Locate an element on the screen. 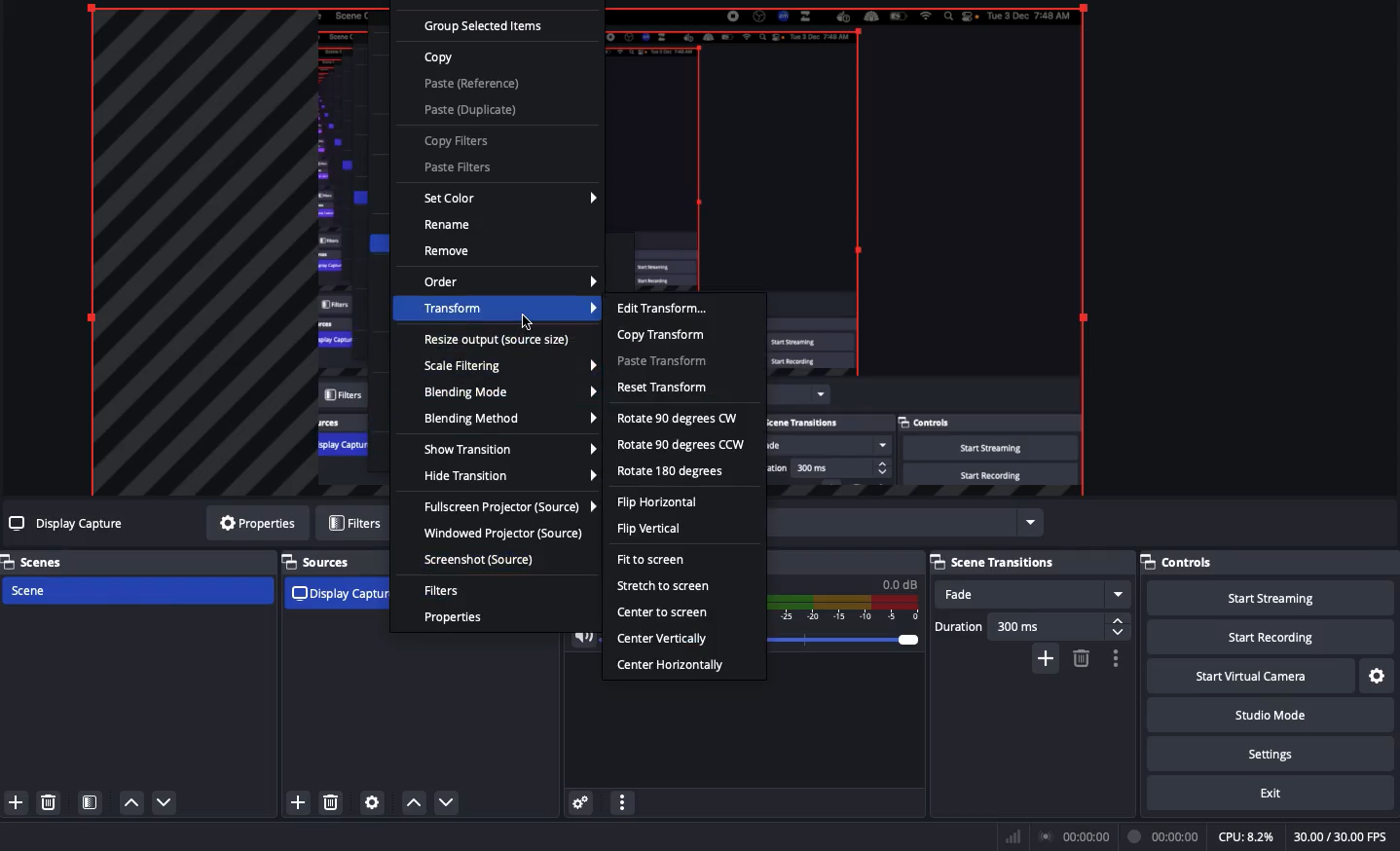 The width and height of the screenshot is (1400, 851). delete is located at coordinates (334, 803).